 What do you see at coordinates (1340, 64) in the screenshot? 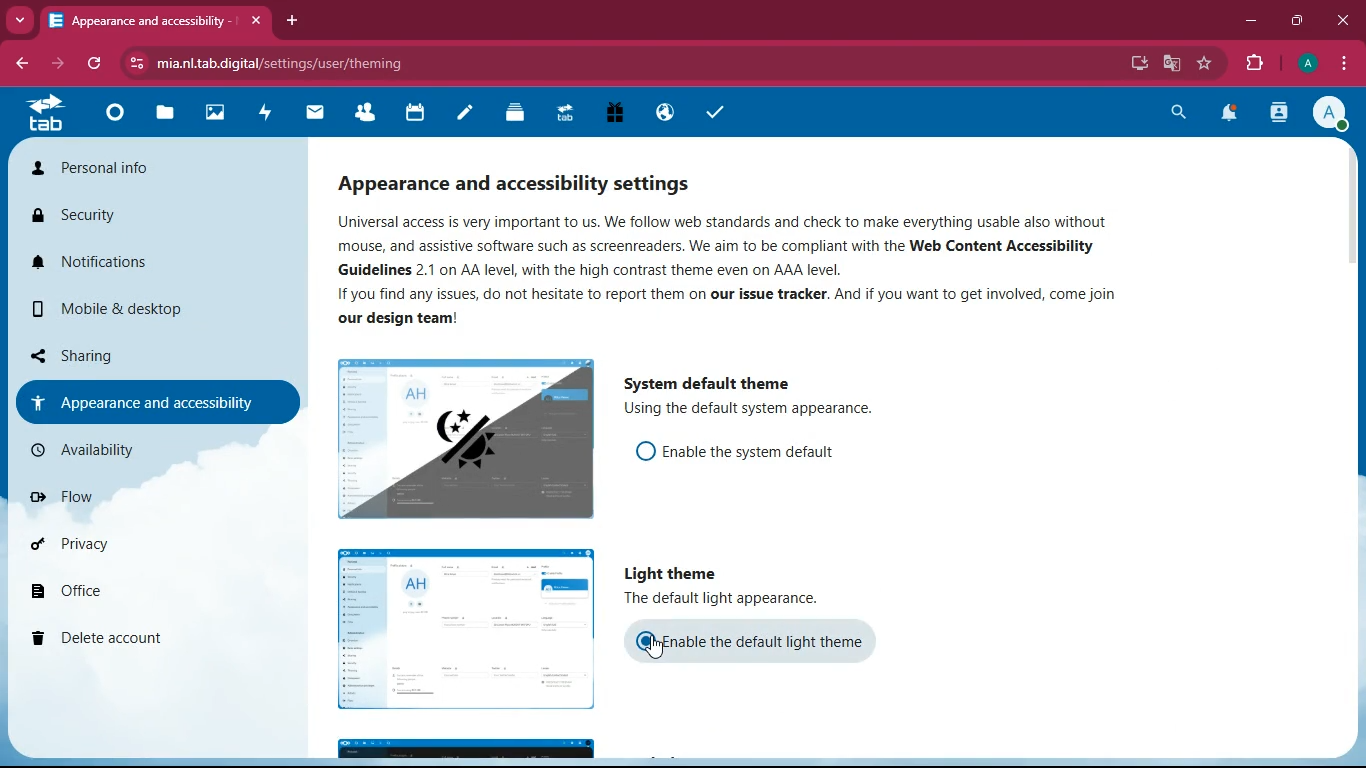
I see `menu` at bounding box center [1340, 64].